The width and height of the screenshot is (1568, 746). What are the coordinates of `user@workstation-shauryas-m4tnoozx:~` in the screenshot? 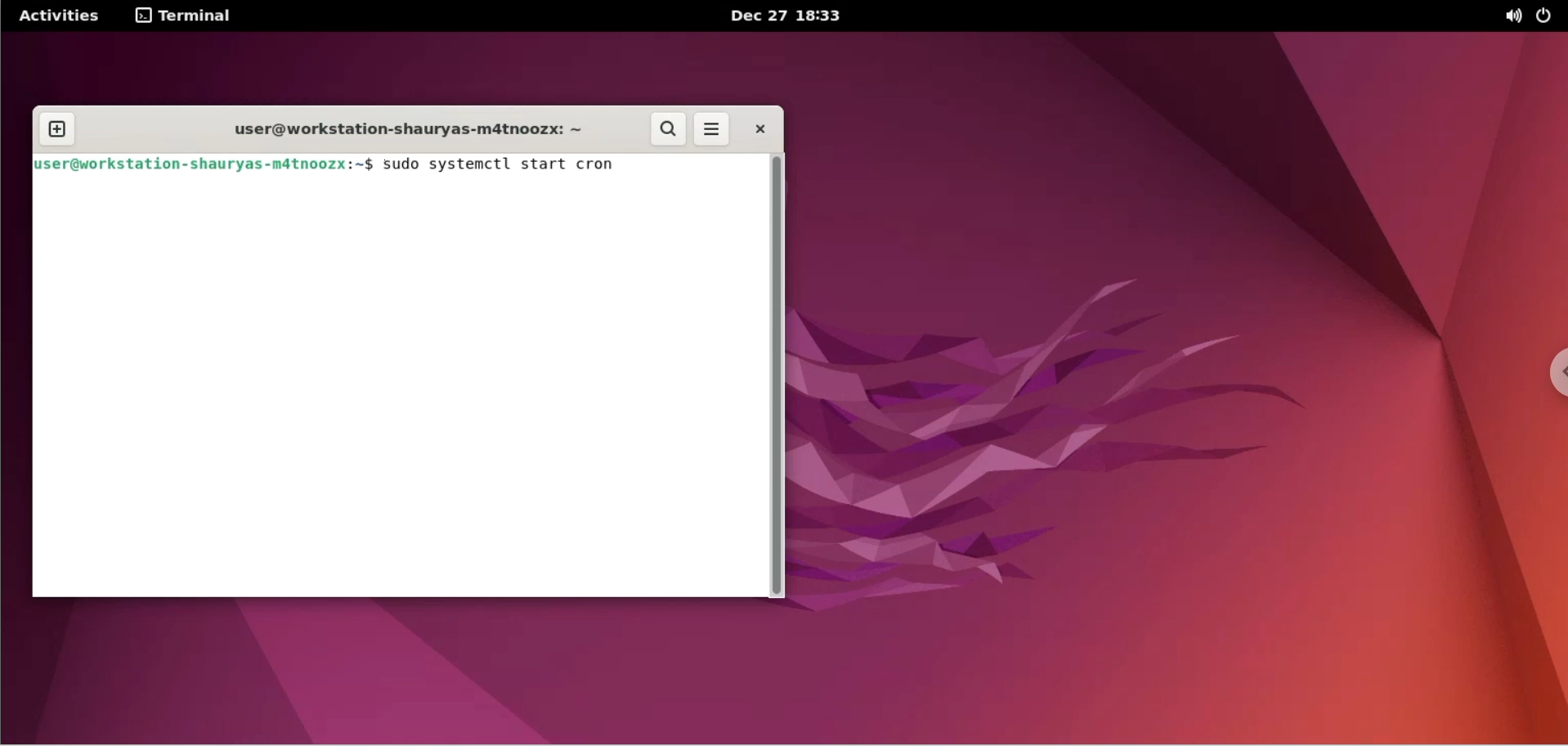 It's located at (398, 129).